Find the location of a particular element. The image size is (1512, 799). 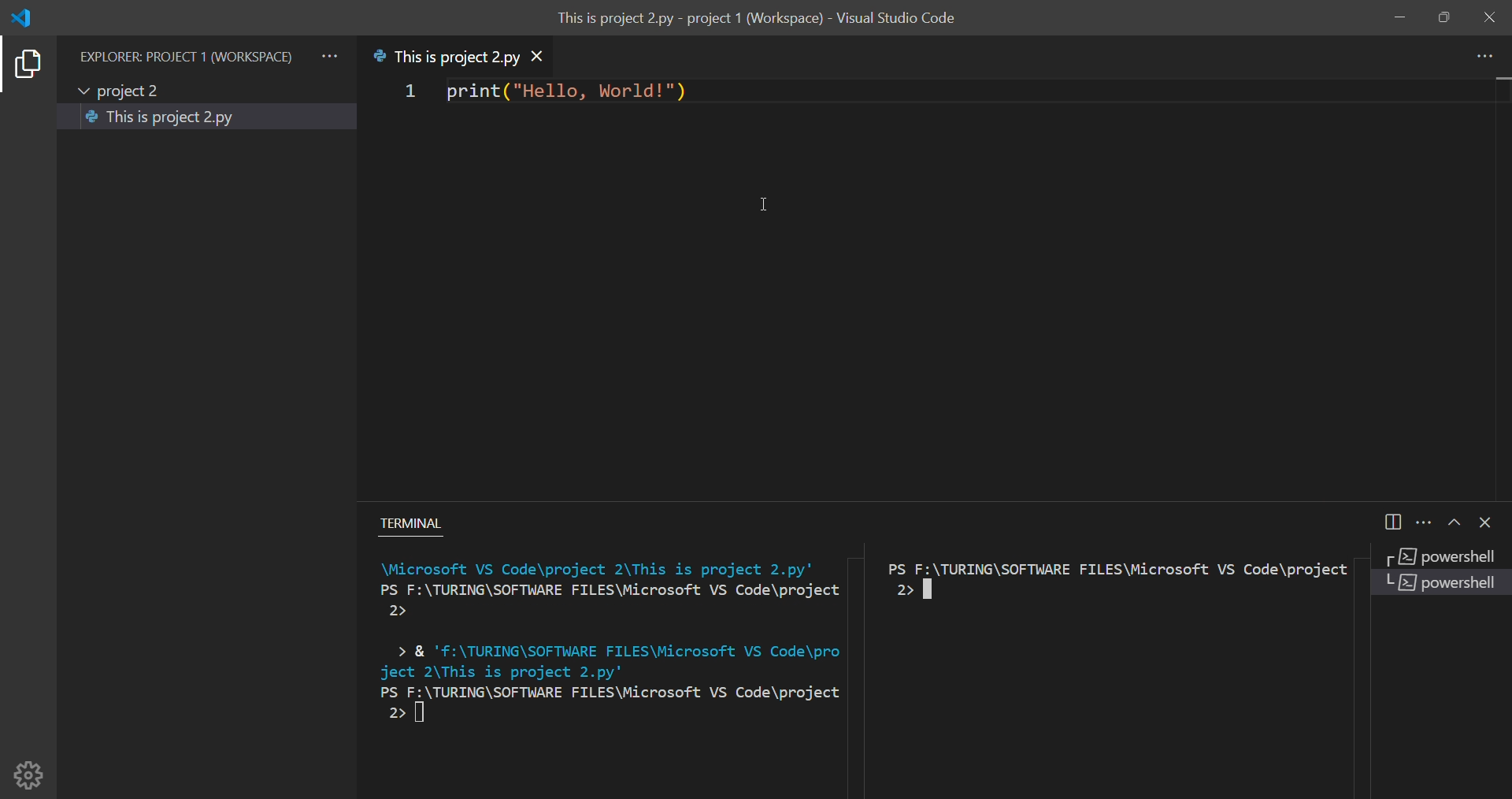

more is located at coordinates (332, 50).